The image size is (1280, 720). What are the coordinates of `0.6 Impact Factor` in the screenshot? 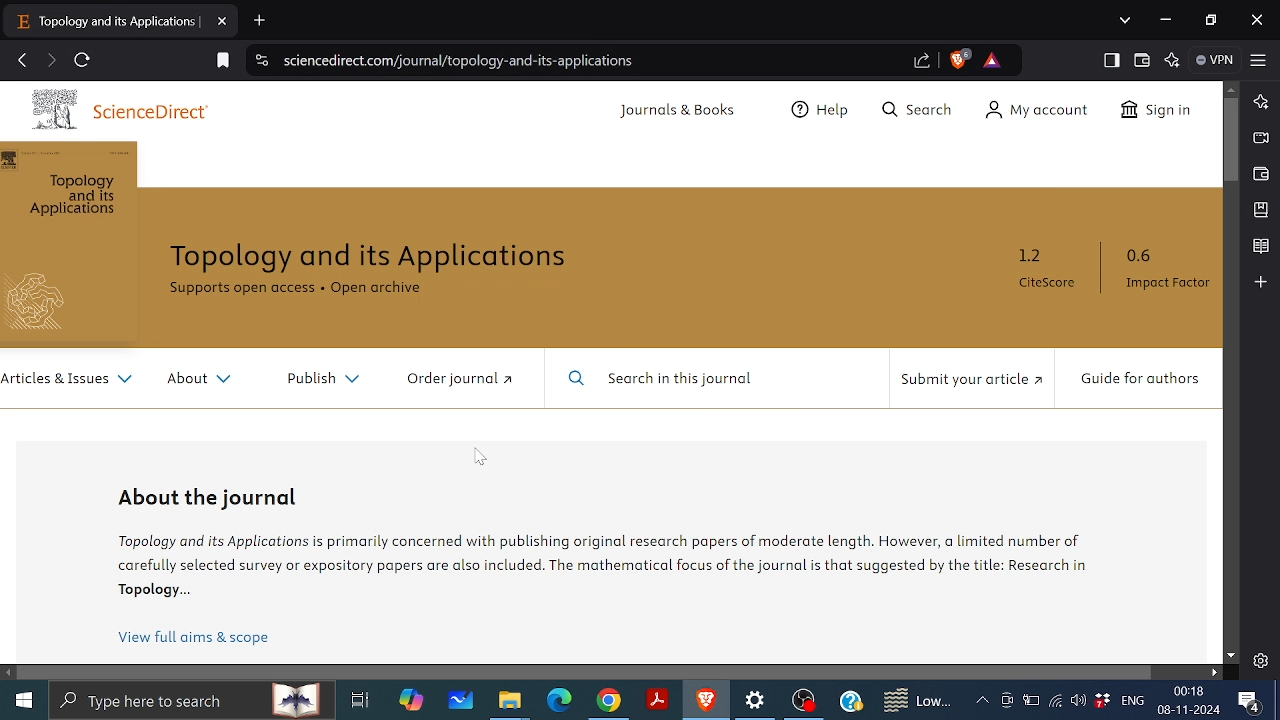 It's located at (1173, 271).